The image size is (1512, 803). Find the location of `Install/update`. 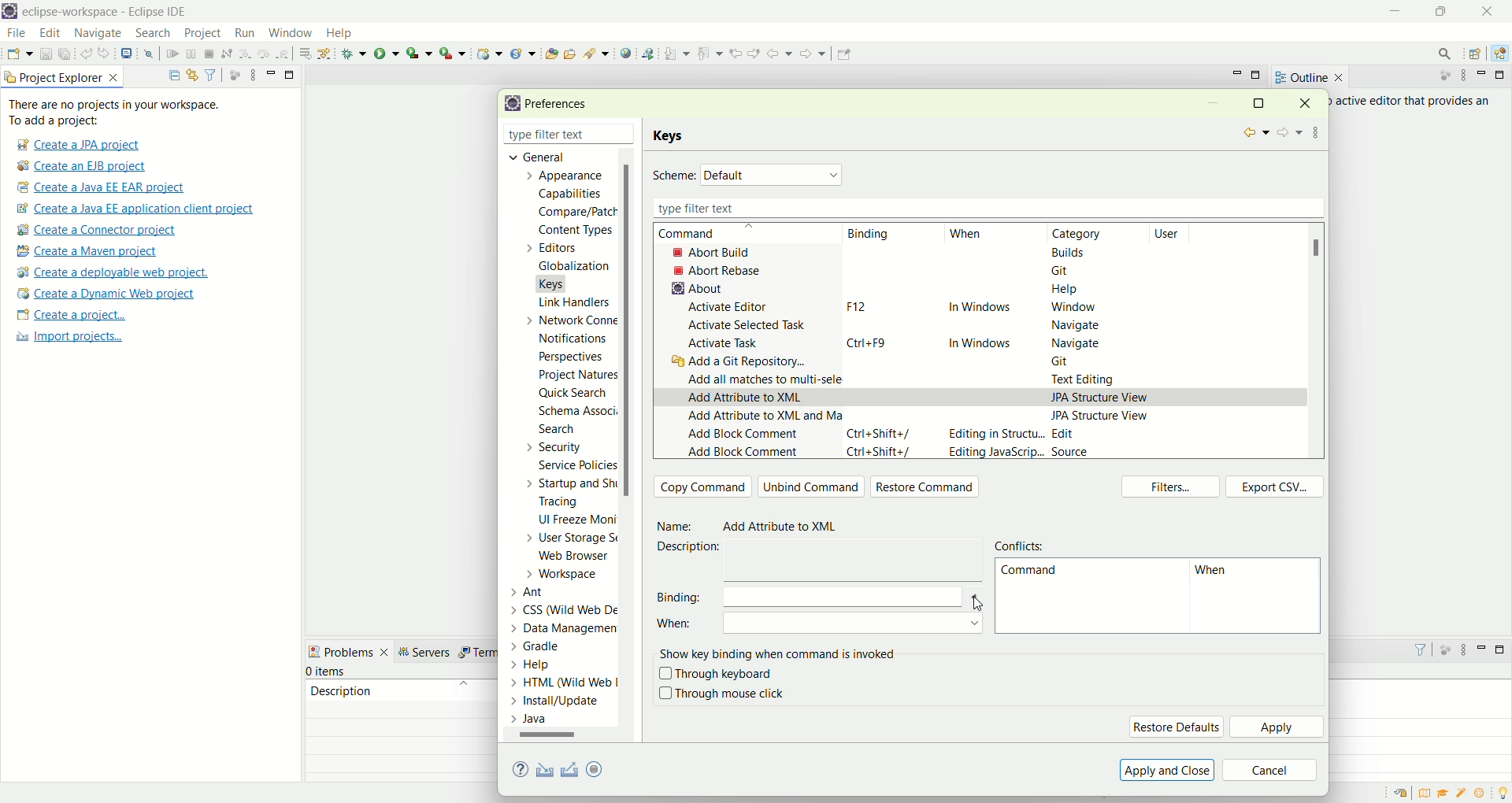

Install/update is located at coordinates (558, 703).